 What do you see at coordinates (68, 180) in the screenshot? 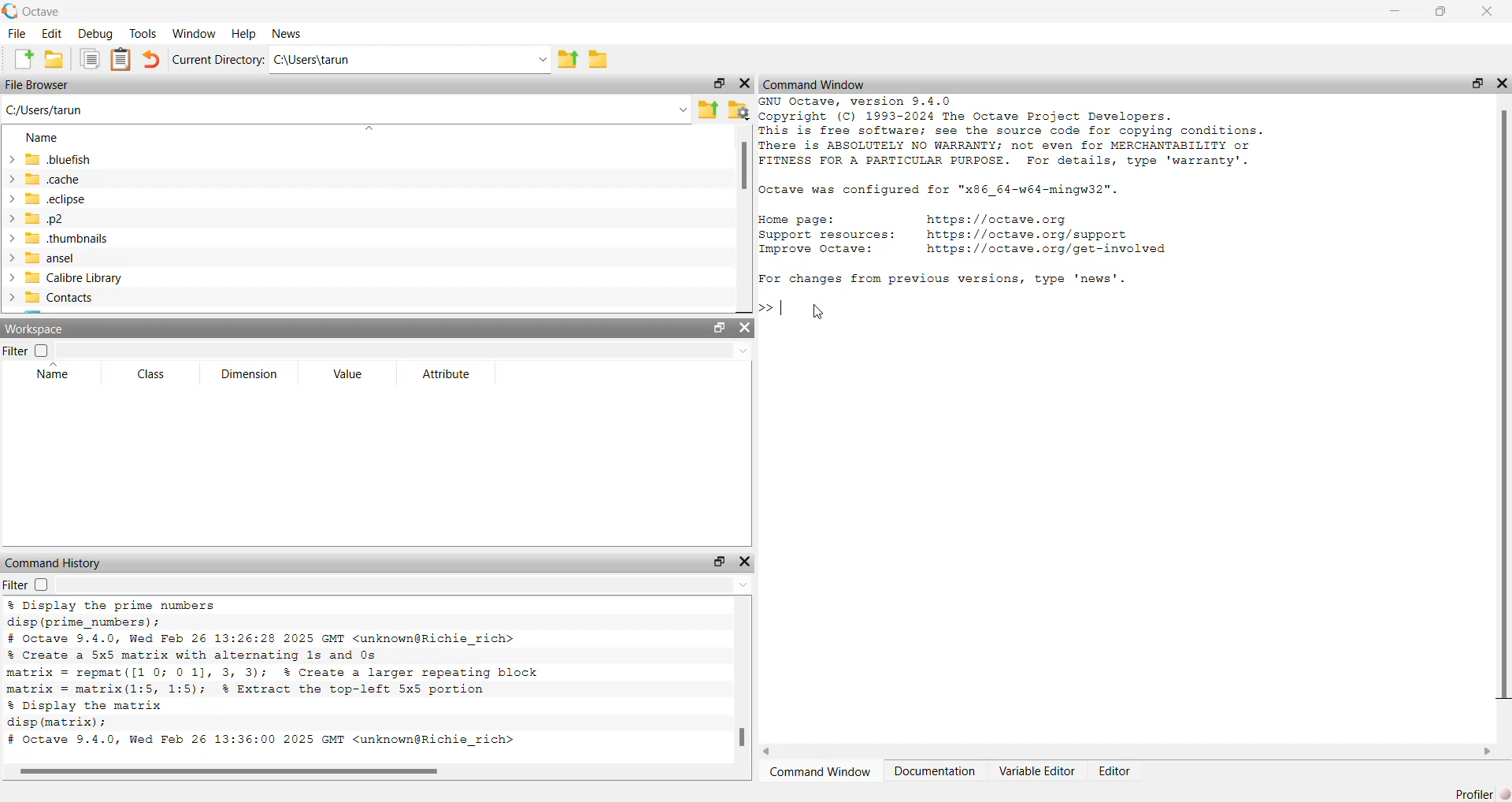
I see `.cache` at bounding box center [68, 180].